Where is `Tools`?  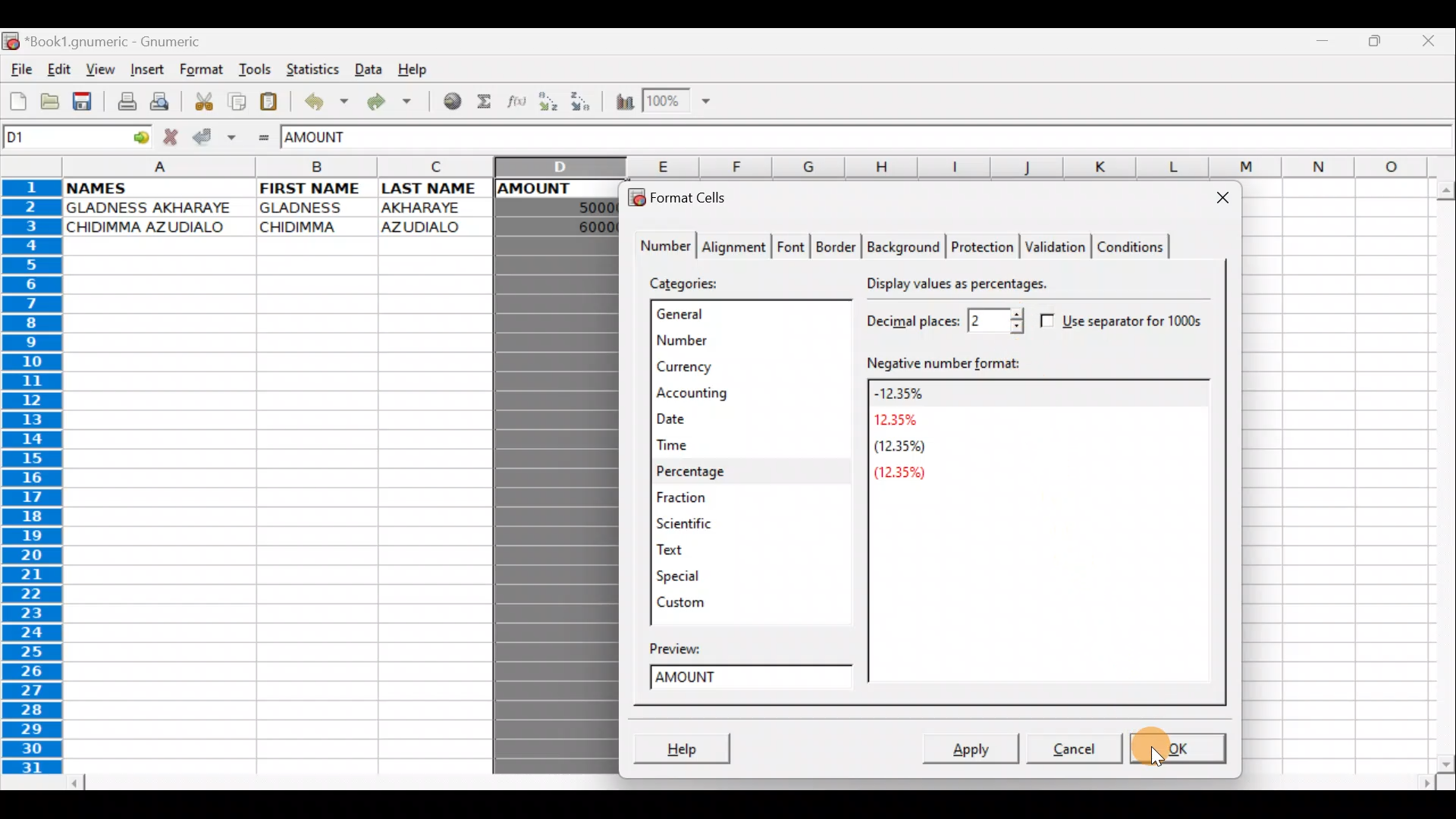
Tools is located at coordinates (250, 71).